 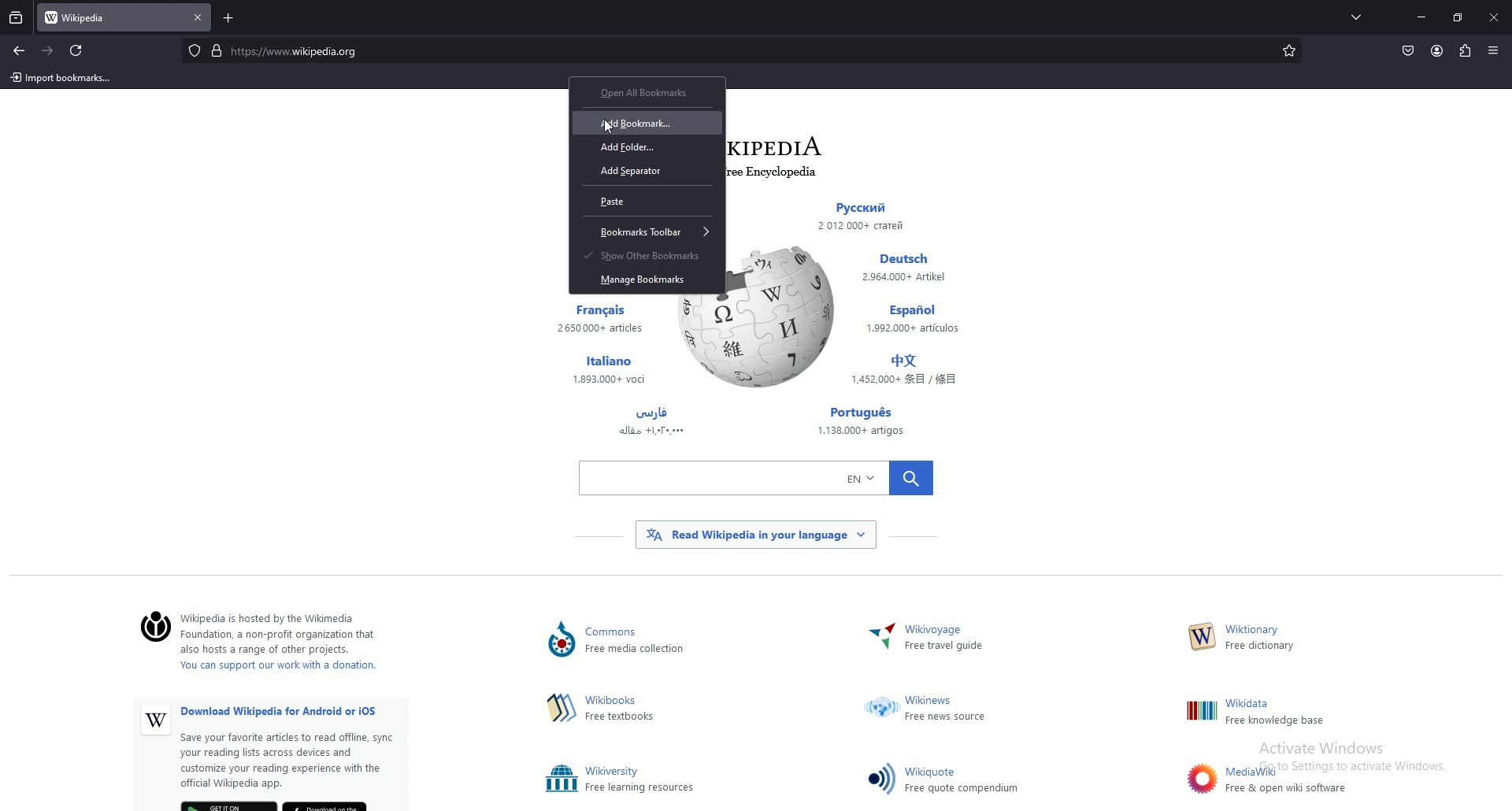 What do you see at coordinates (1494, 17) in the screenshot?
I see `` at bounding box center [1494, 17].